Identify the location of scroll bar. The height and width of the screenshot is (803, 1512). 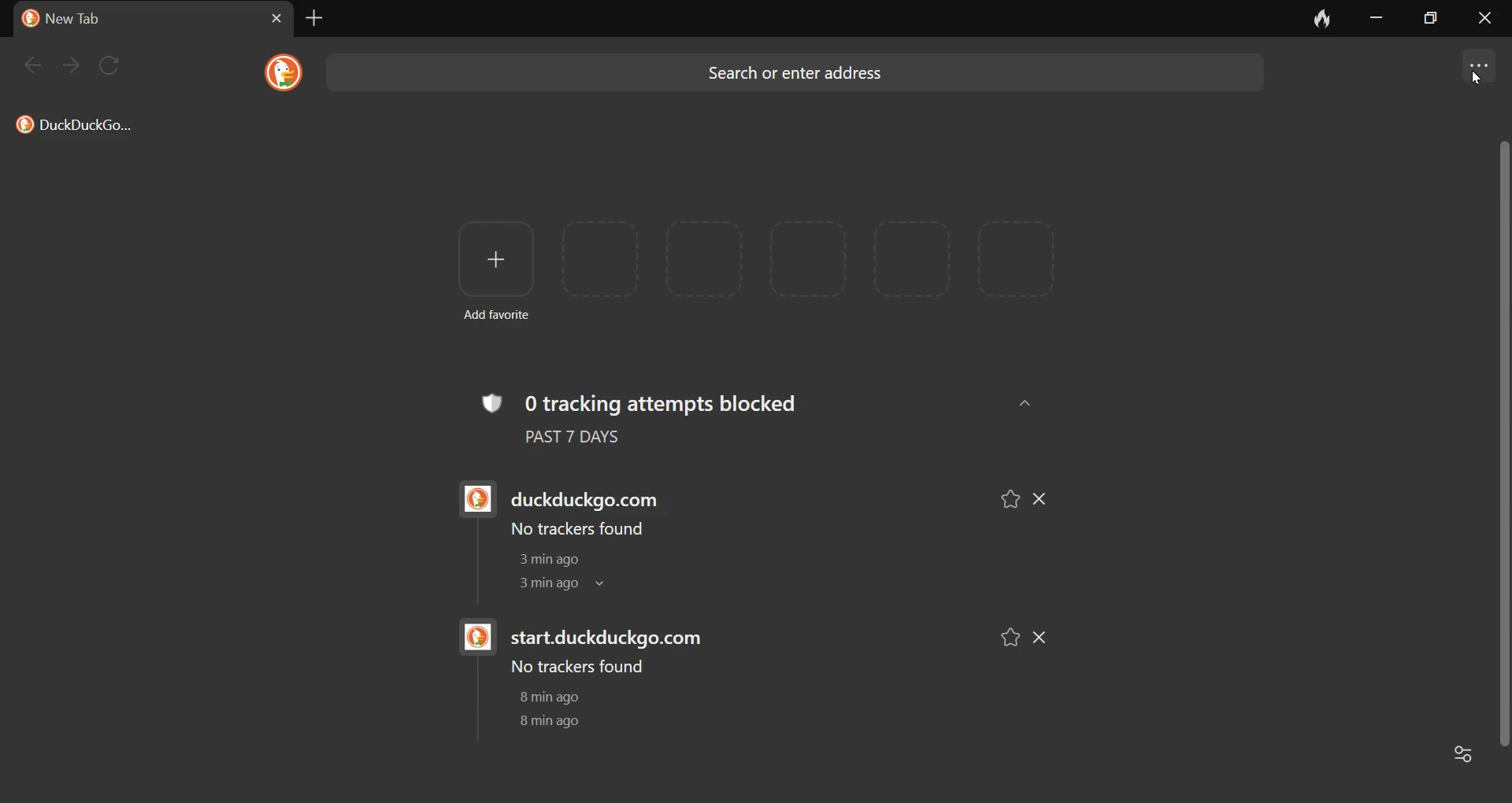
(1502, 442).